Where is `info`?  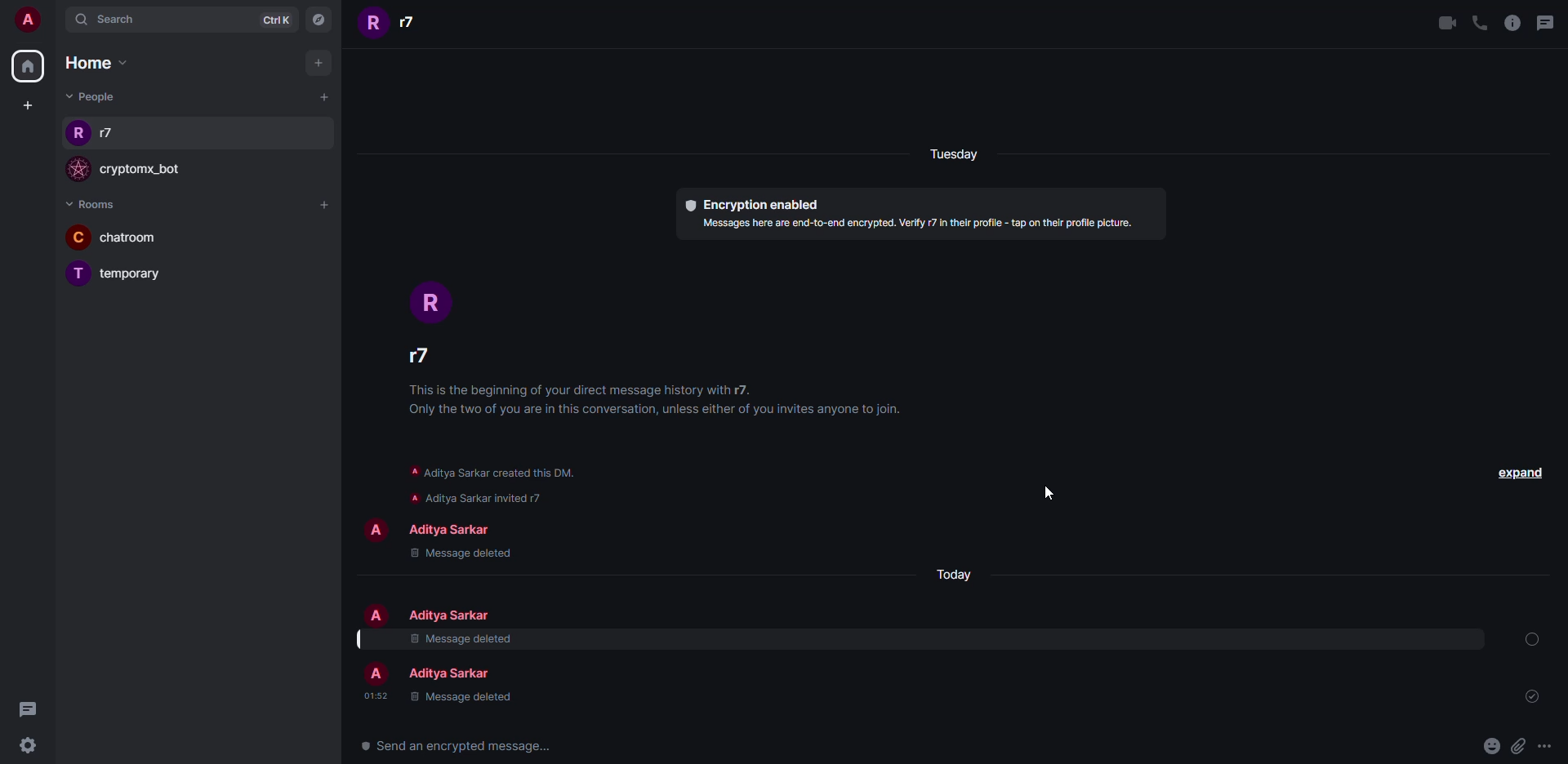
info is located at coordinates (1512, 23).